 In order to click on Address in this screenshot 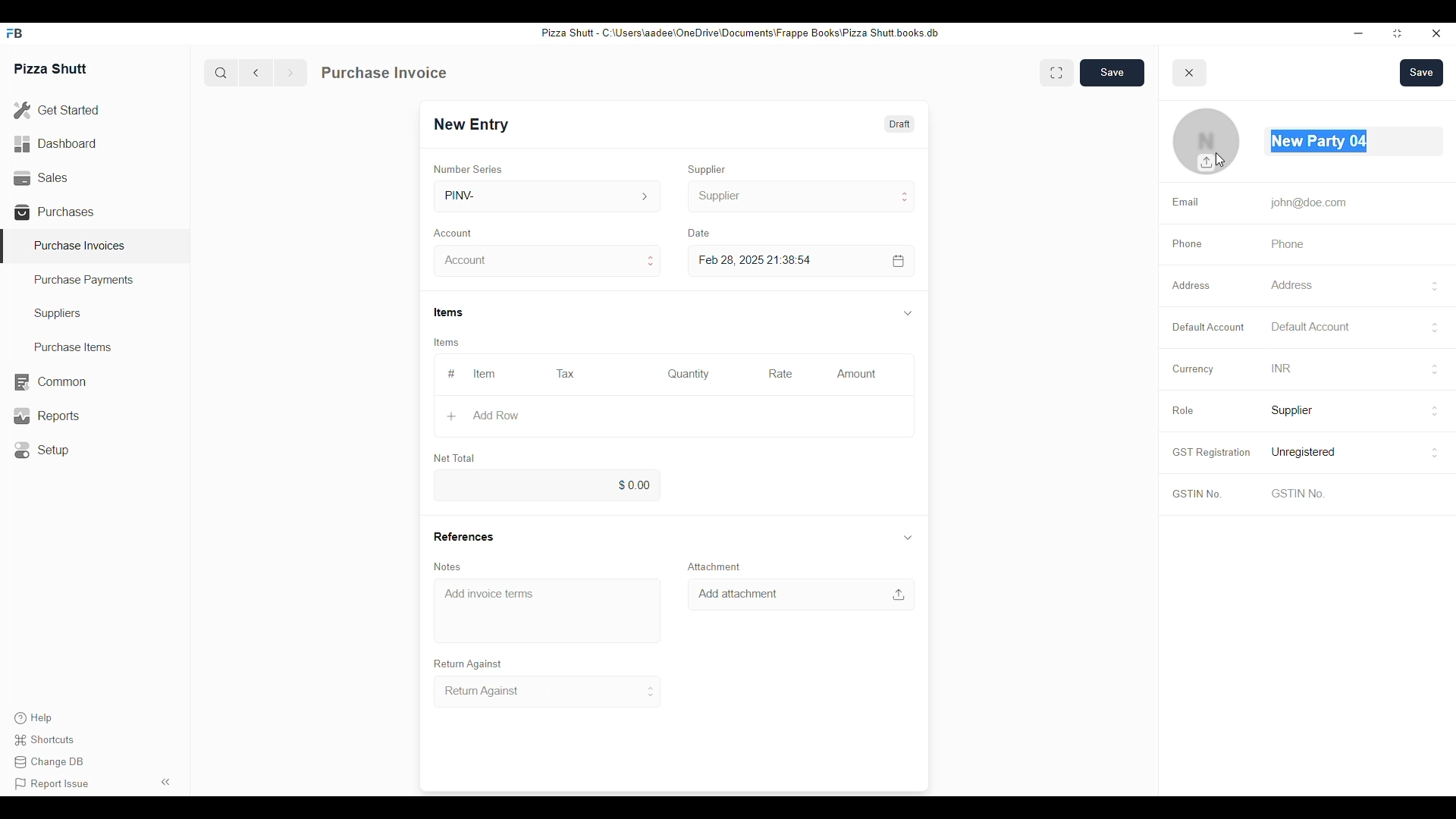, I will do `click(1290, 284)`.